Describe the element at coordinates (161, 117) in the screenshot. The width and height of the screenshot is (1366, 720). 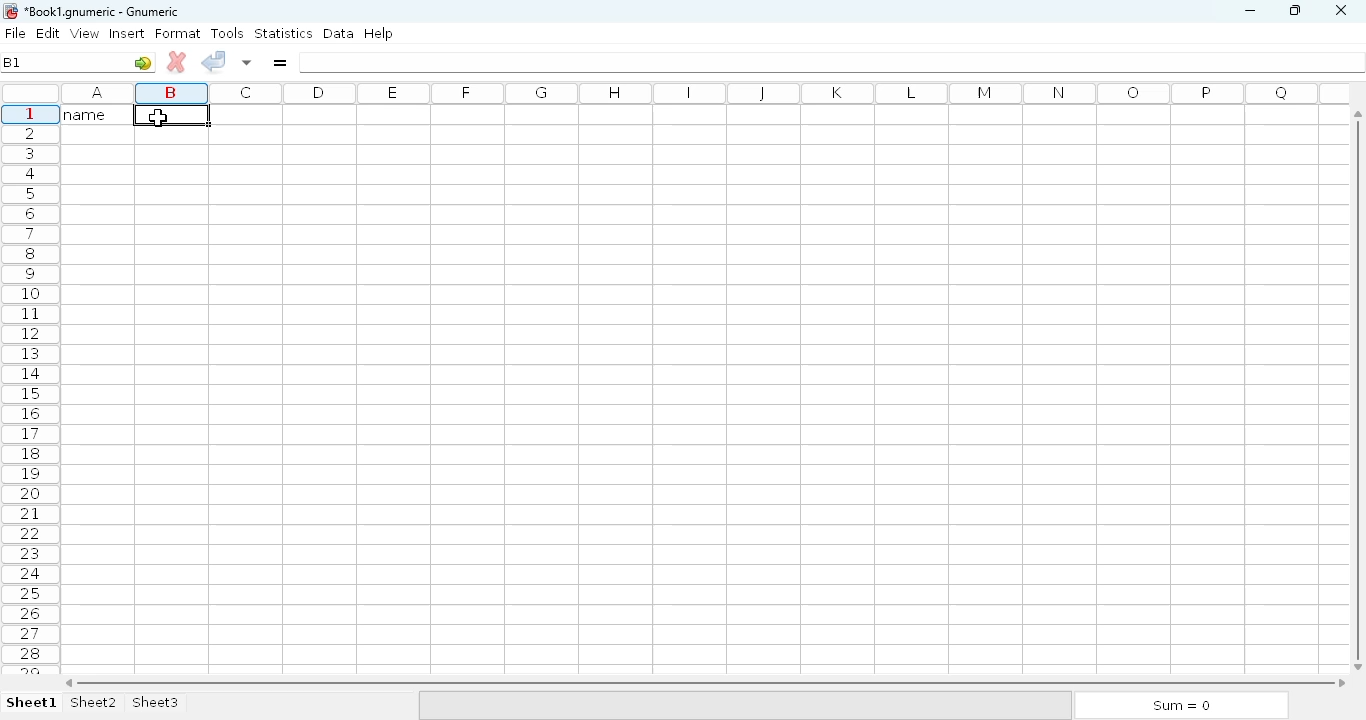
I see `typing` at that location.